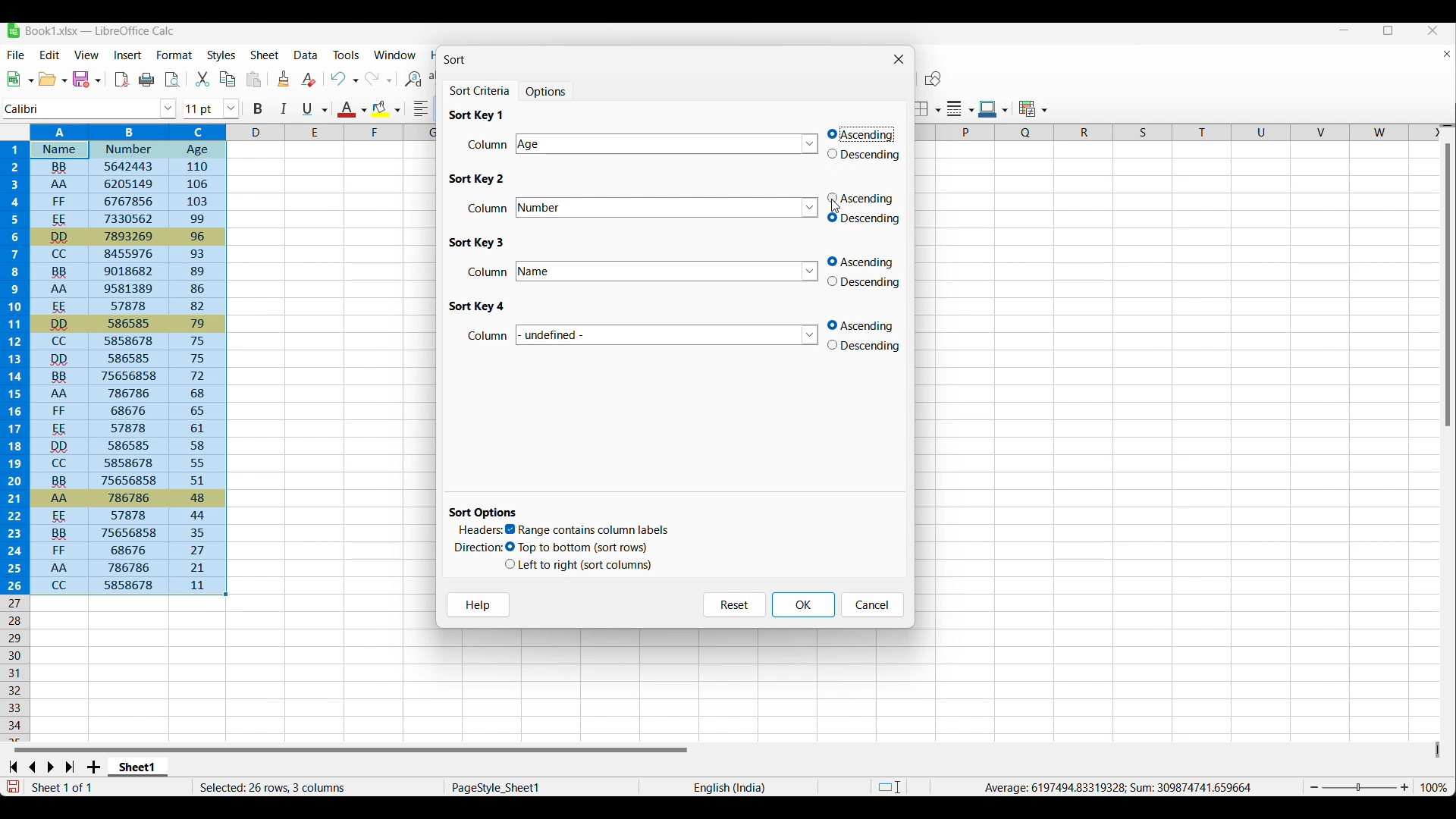  Describe the element at coordinates (864, 283) in the screenshot. I see `descending` at that location.